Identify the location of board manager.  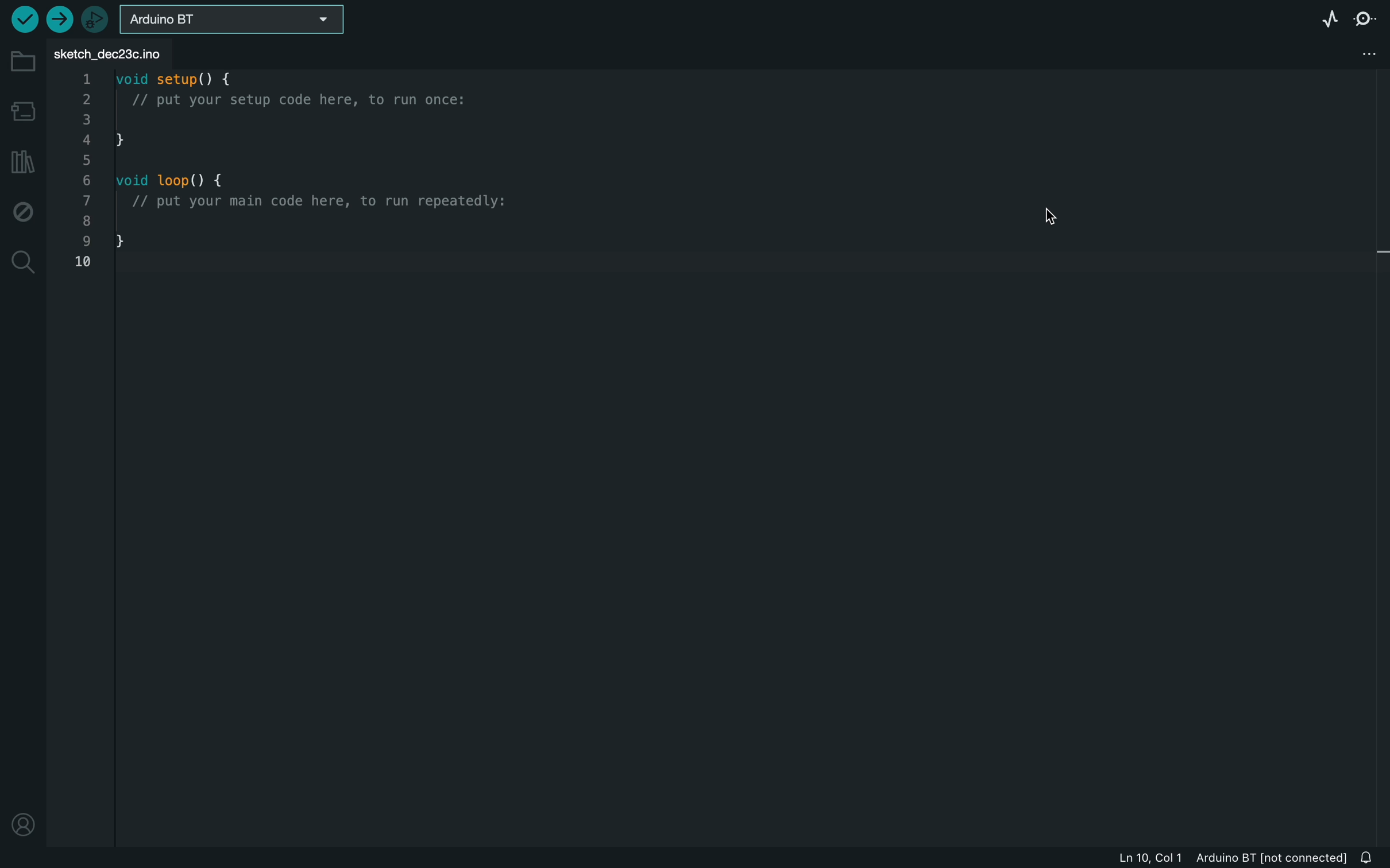
(23, 111).